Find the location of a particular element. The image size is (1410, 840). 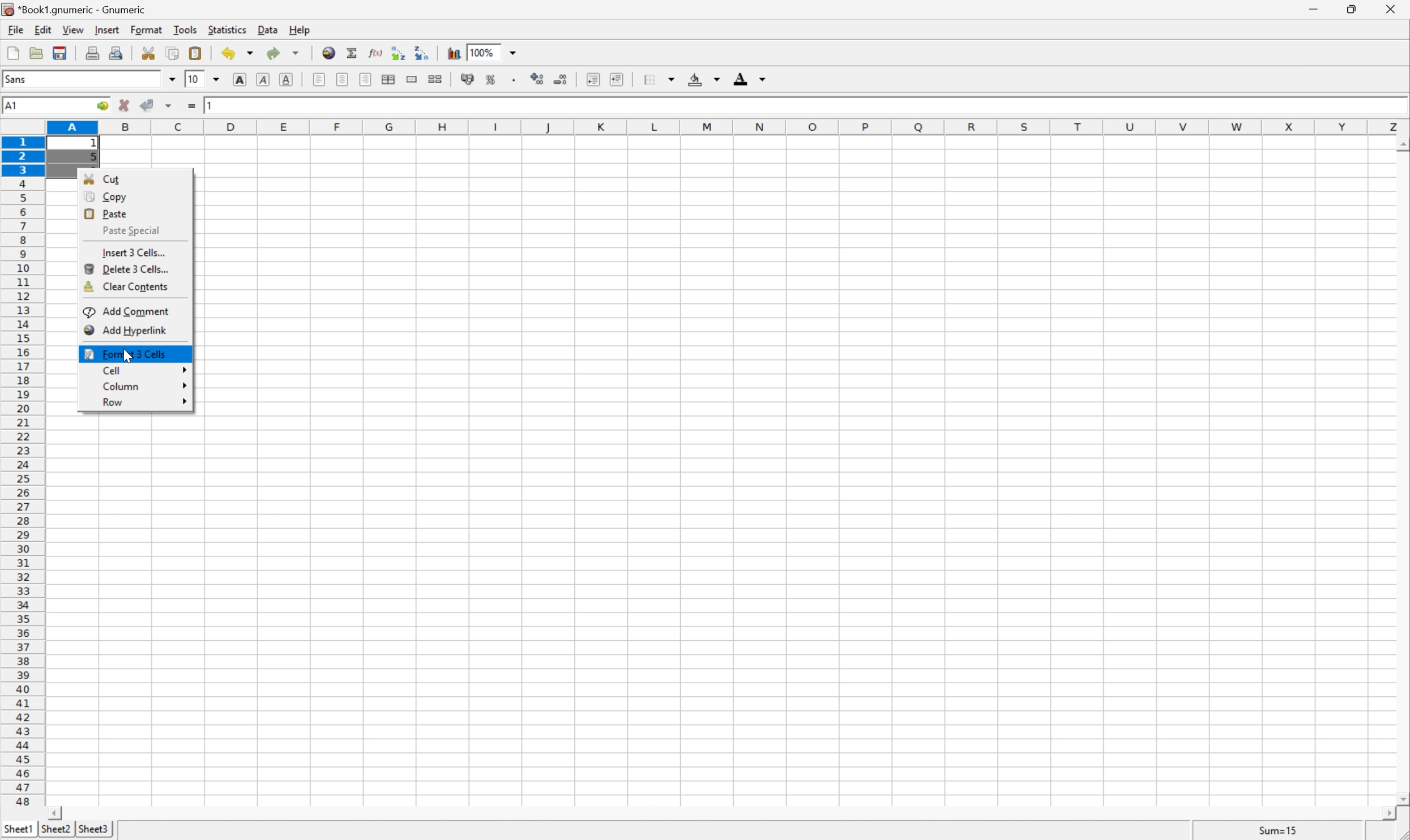

font is located at coordinates (22, 78).